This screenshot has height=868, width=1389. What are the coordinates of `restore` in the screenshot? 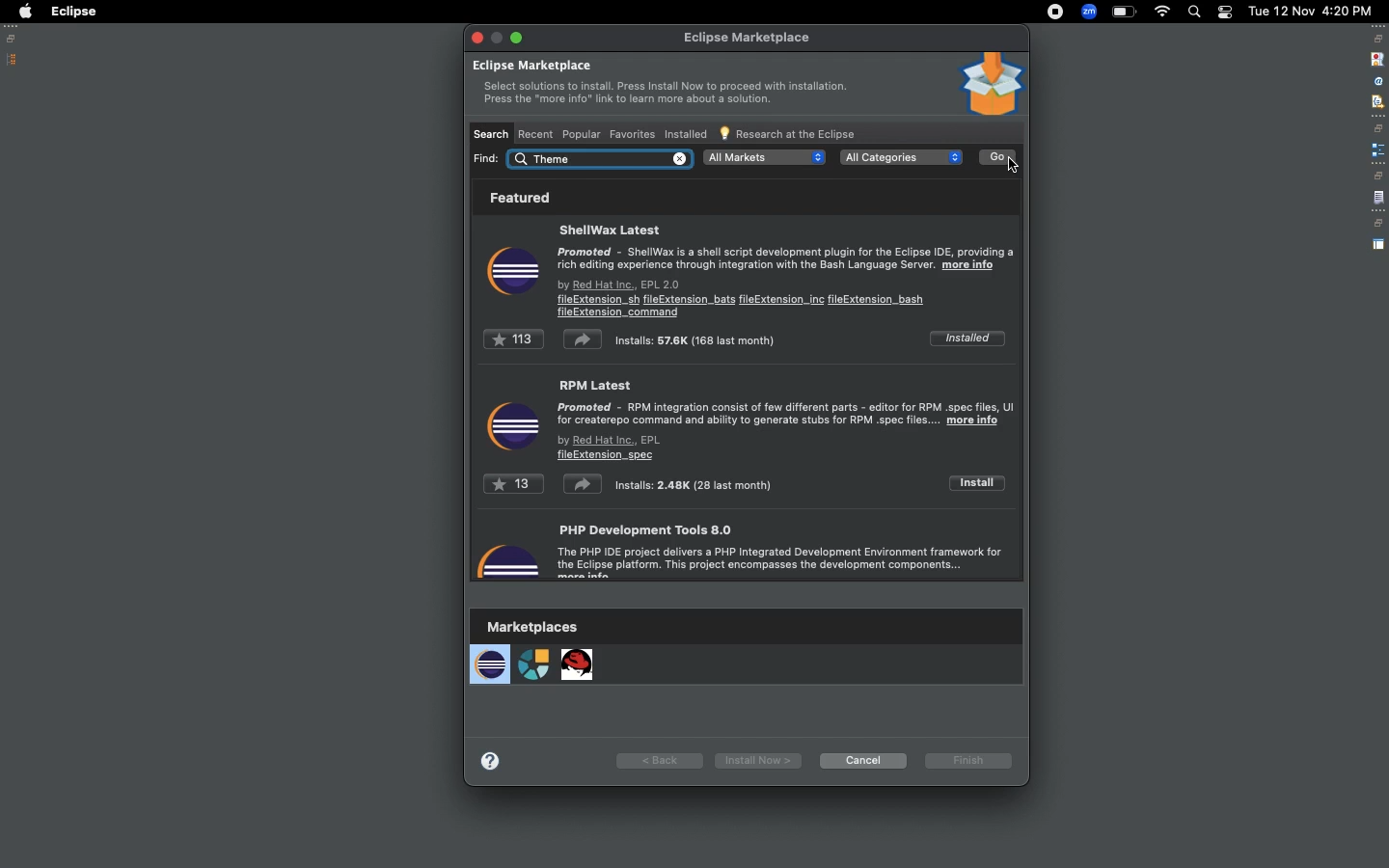 It's located at (1377, 224).